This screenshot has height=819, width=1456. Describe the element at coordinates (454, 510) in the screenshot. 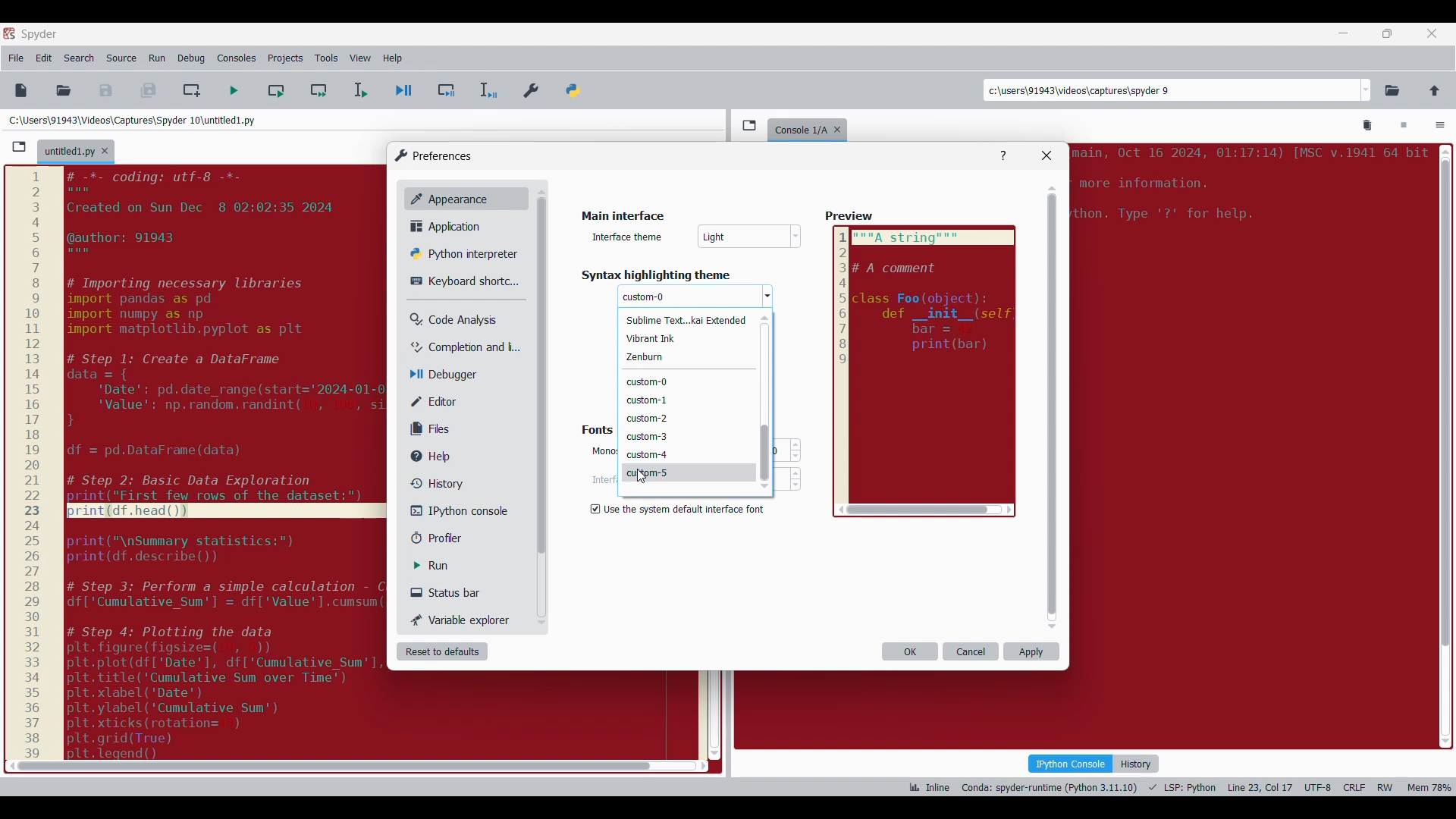

I see `IPython console` at that location.